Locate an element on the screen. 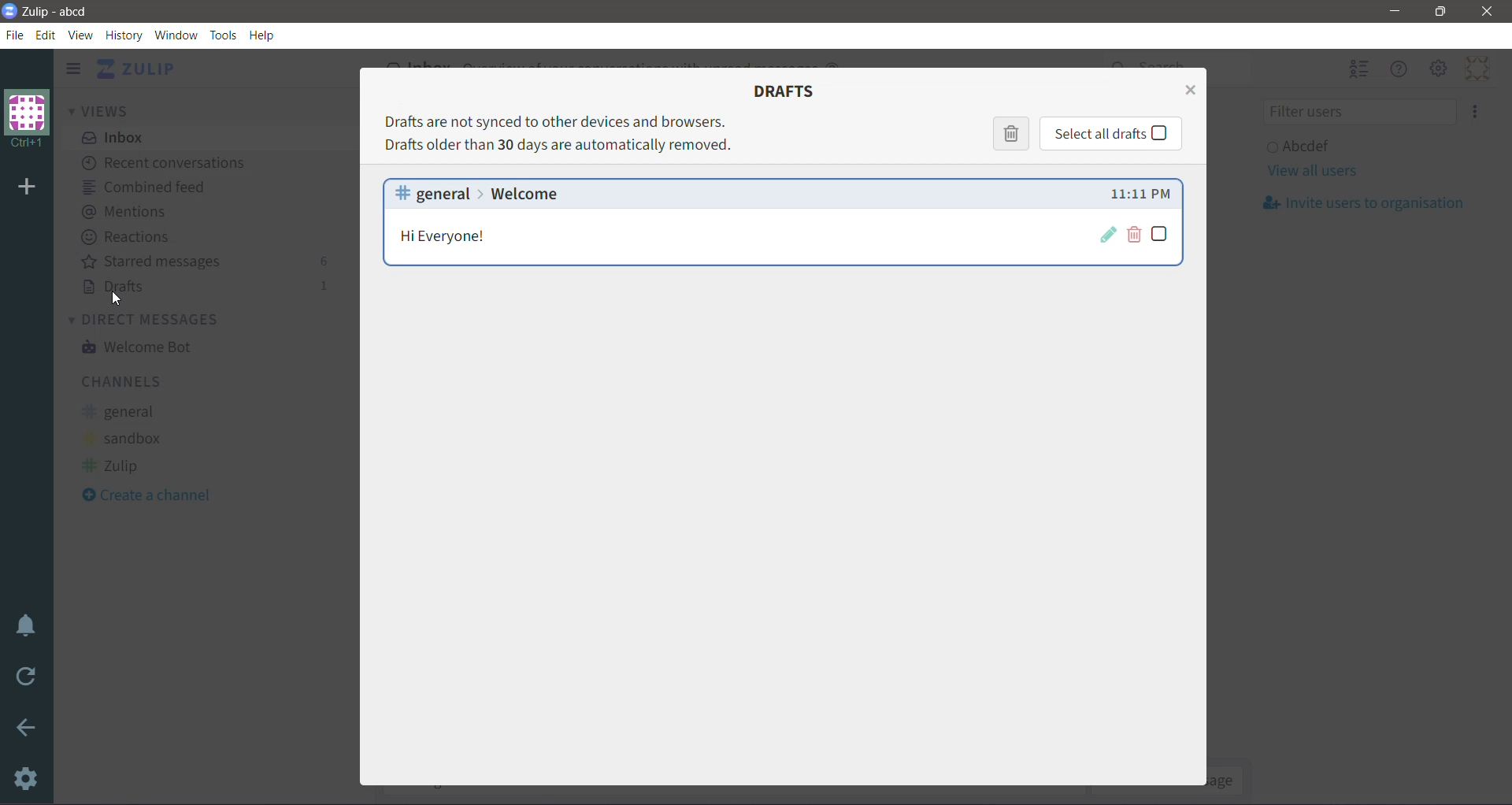 This screenshot has width=1512, height=805. Window is located at coordinates (176, 35).